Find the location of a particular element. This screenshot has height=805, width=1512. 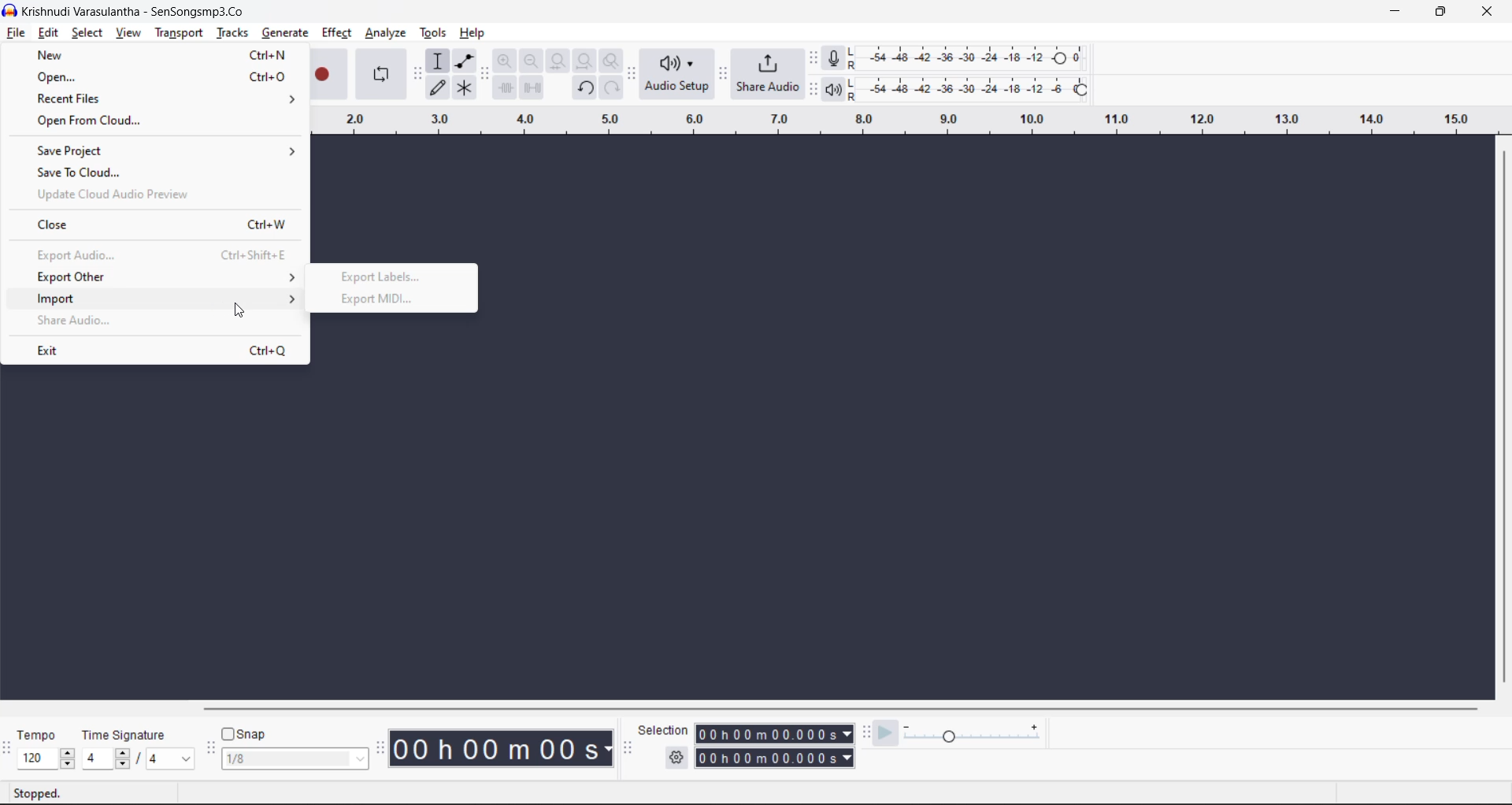

recording meter tool bar is located at coordinates (814, 59).